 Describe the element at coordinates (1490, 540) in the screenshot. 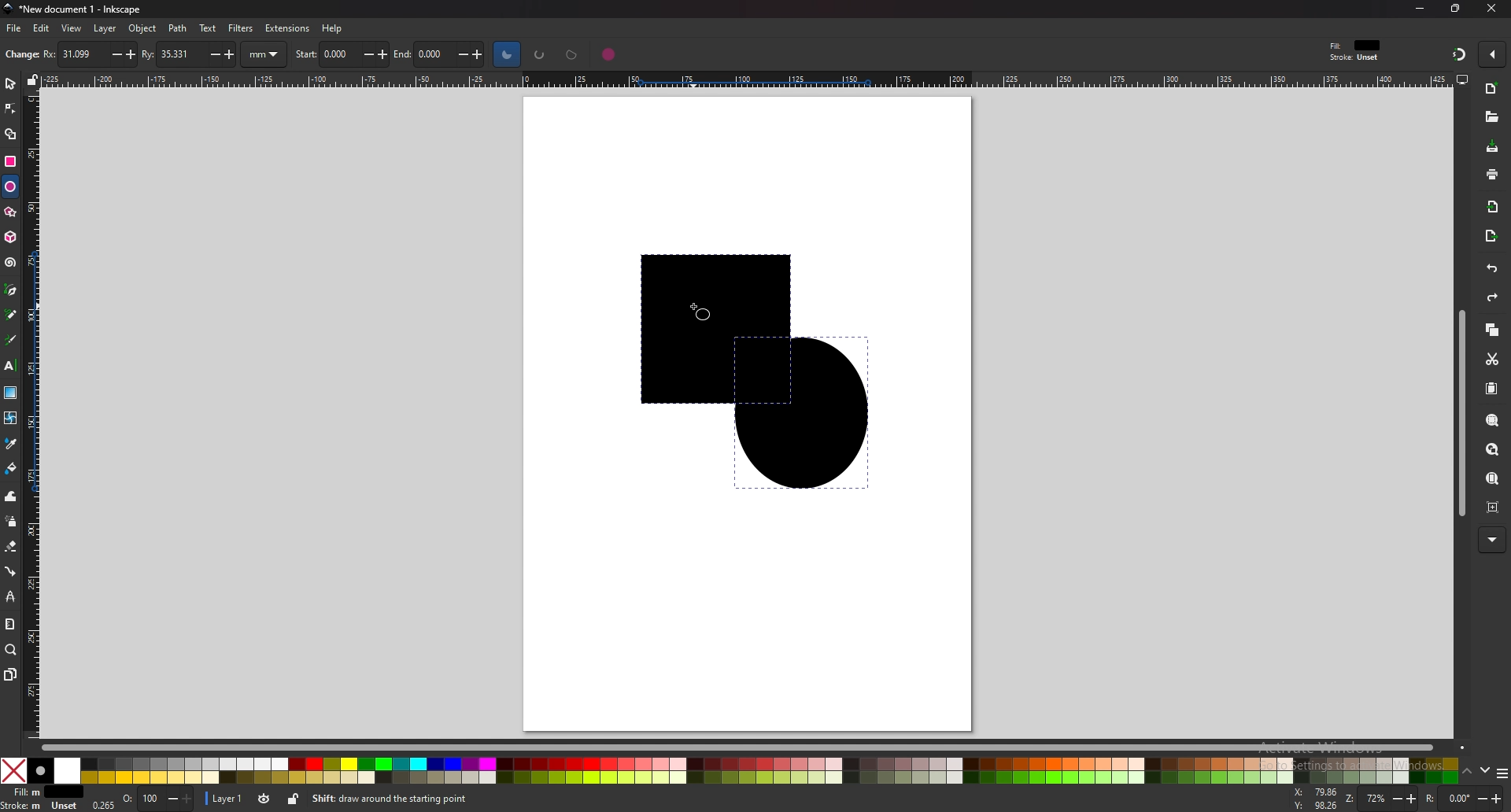

I see `more` at that location.